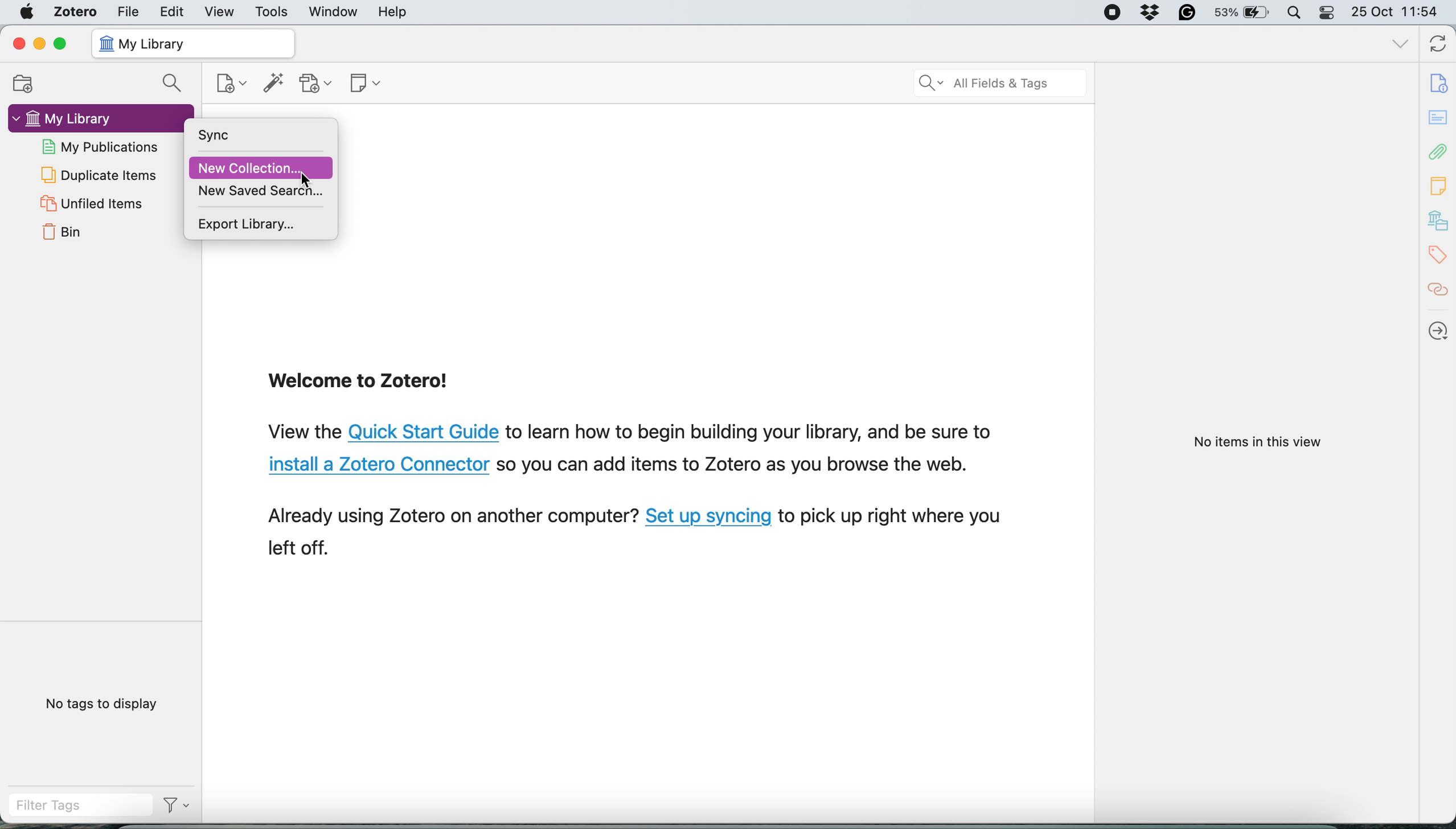 Image resolution: width=1456 pixels, height=829 pixels. Describe the element at coordinates (331, 11) in the screenshot. I see `window` at that location.